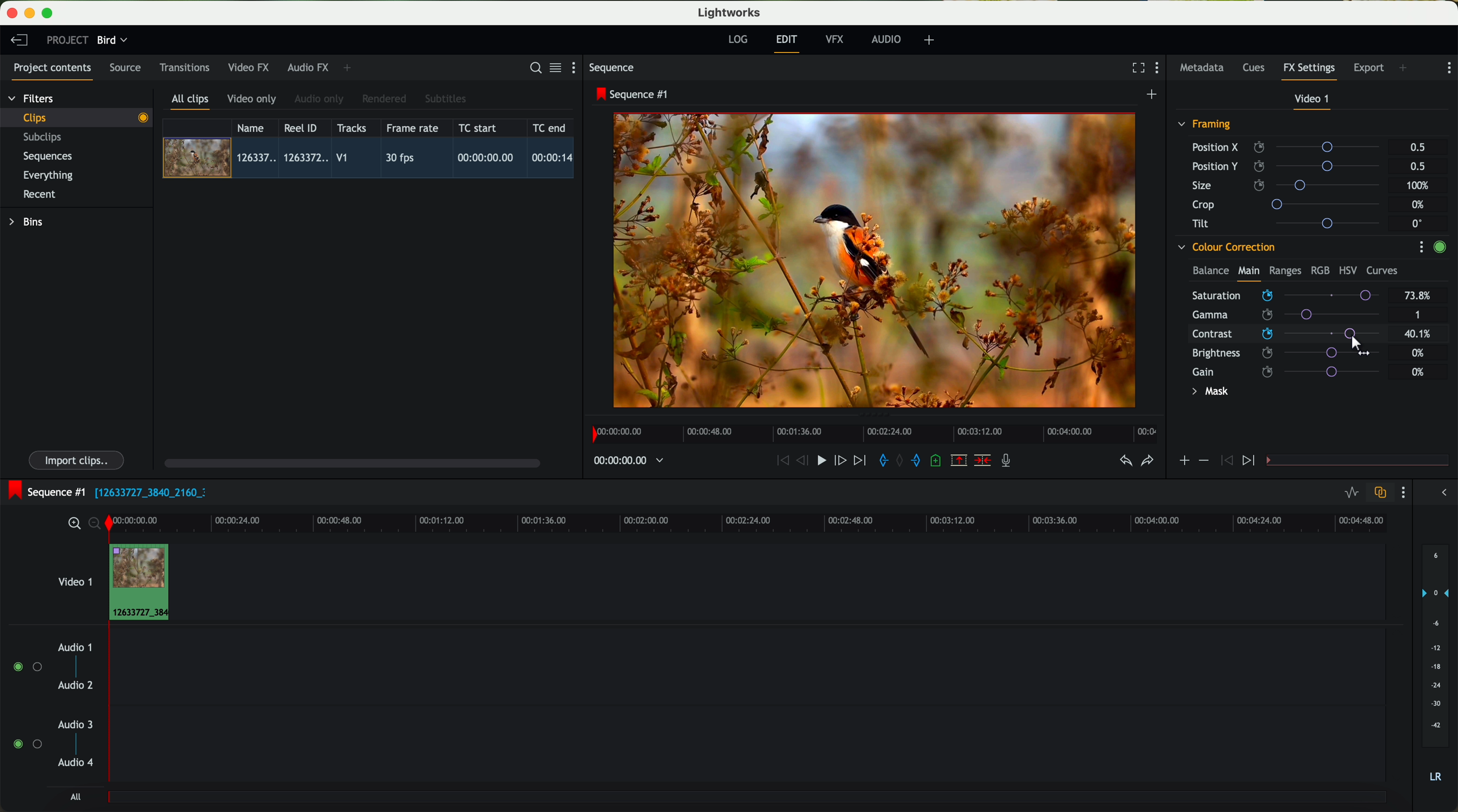  I want to click on show settings menu, so click(1448, 68).